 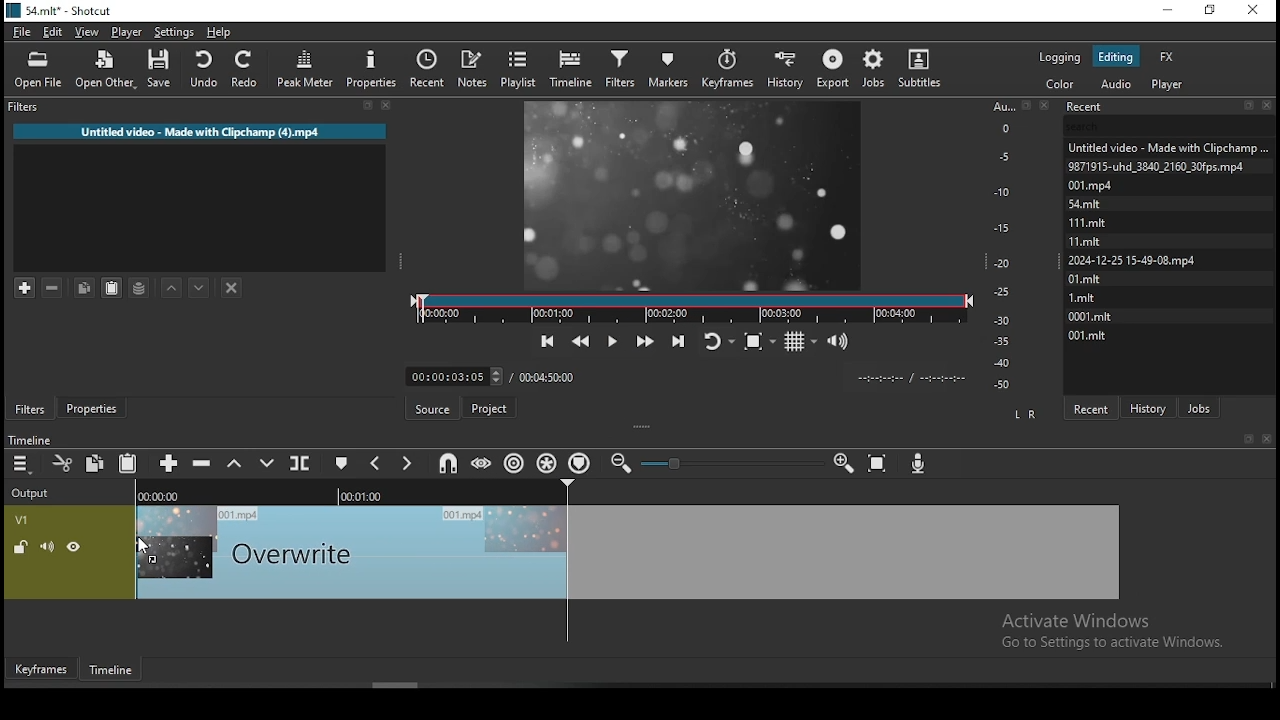 What do you see at coordinates (1165, 144) in the screenshot?
I see `files` at bounding box center [1165, 144].